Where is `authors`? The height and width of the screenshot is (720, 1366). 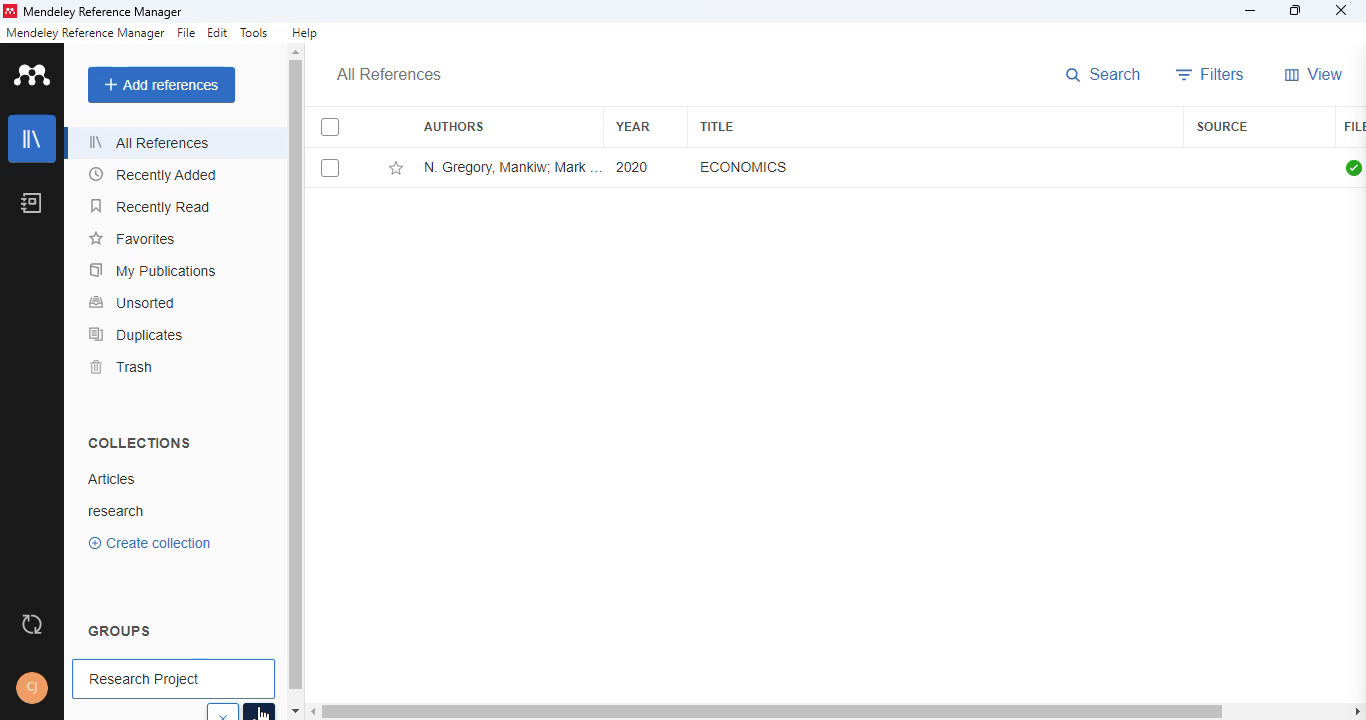 authors is located at coordinates (454, 126).